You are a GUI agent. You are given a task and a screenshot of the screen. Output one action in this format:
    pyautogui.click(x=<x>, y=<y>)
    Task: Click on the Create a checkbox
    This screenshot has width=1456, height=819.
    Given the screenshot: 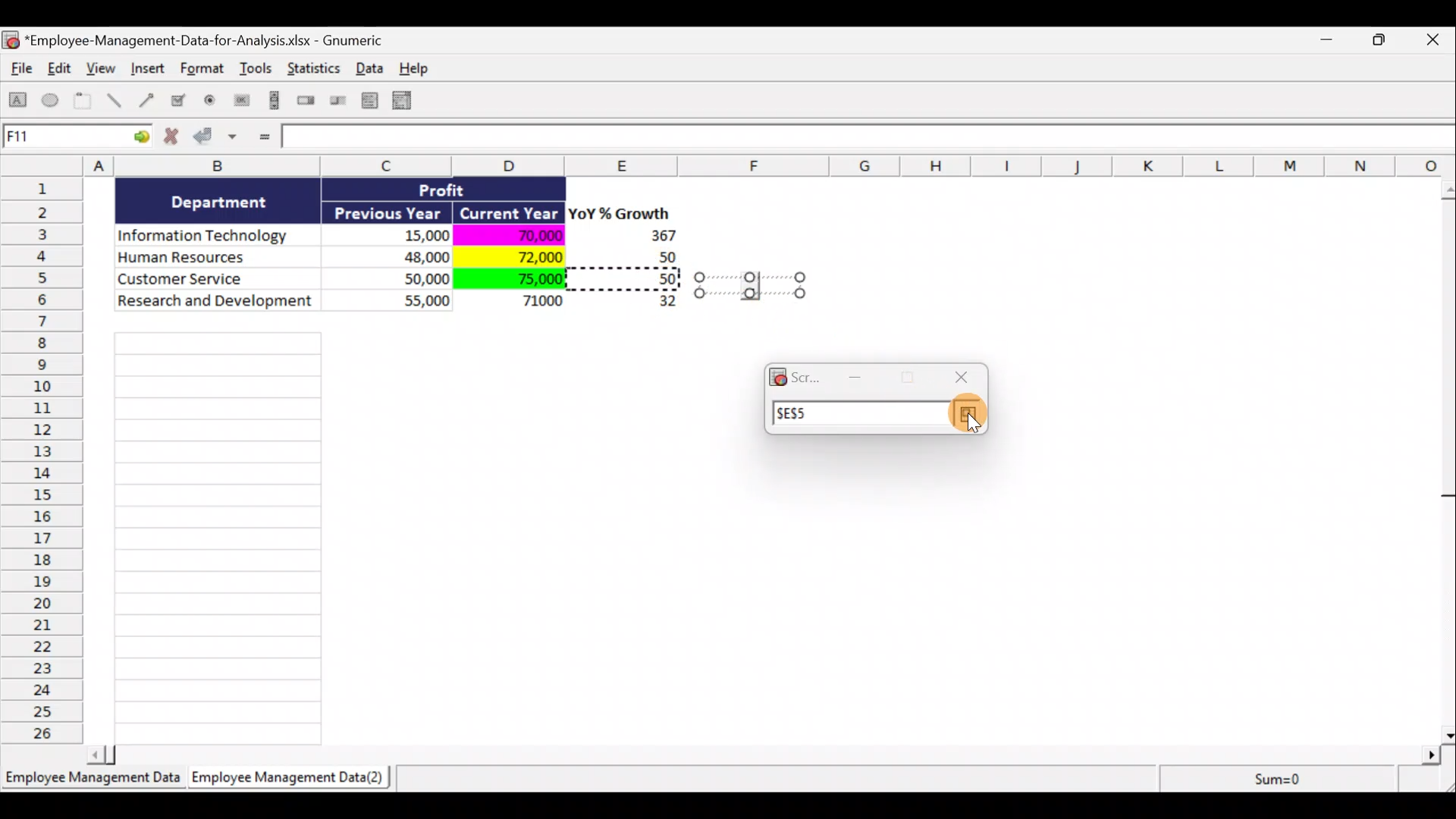 What is the action you would take?
    pyautogui.click(x=179, y=100)
    